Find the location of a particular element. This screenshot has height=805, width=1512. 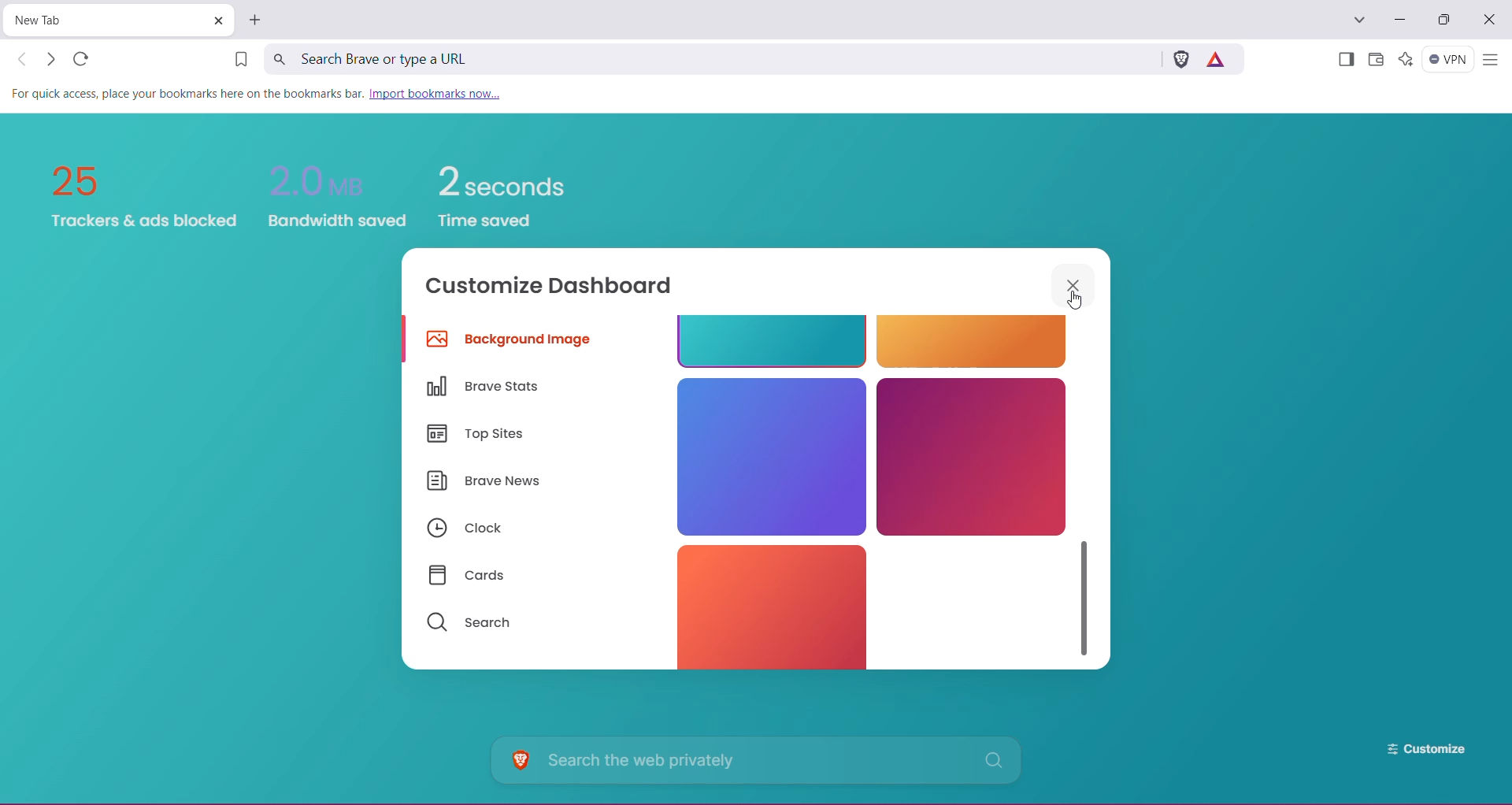

Clock is located at coordinates (464, 529).